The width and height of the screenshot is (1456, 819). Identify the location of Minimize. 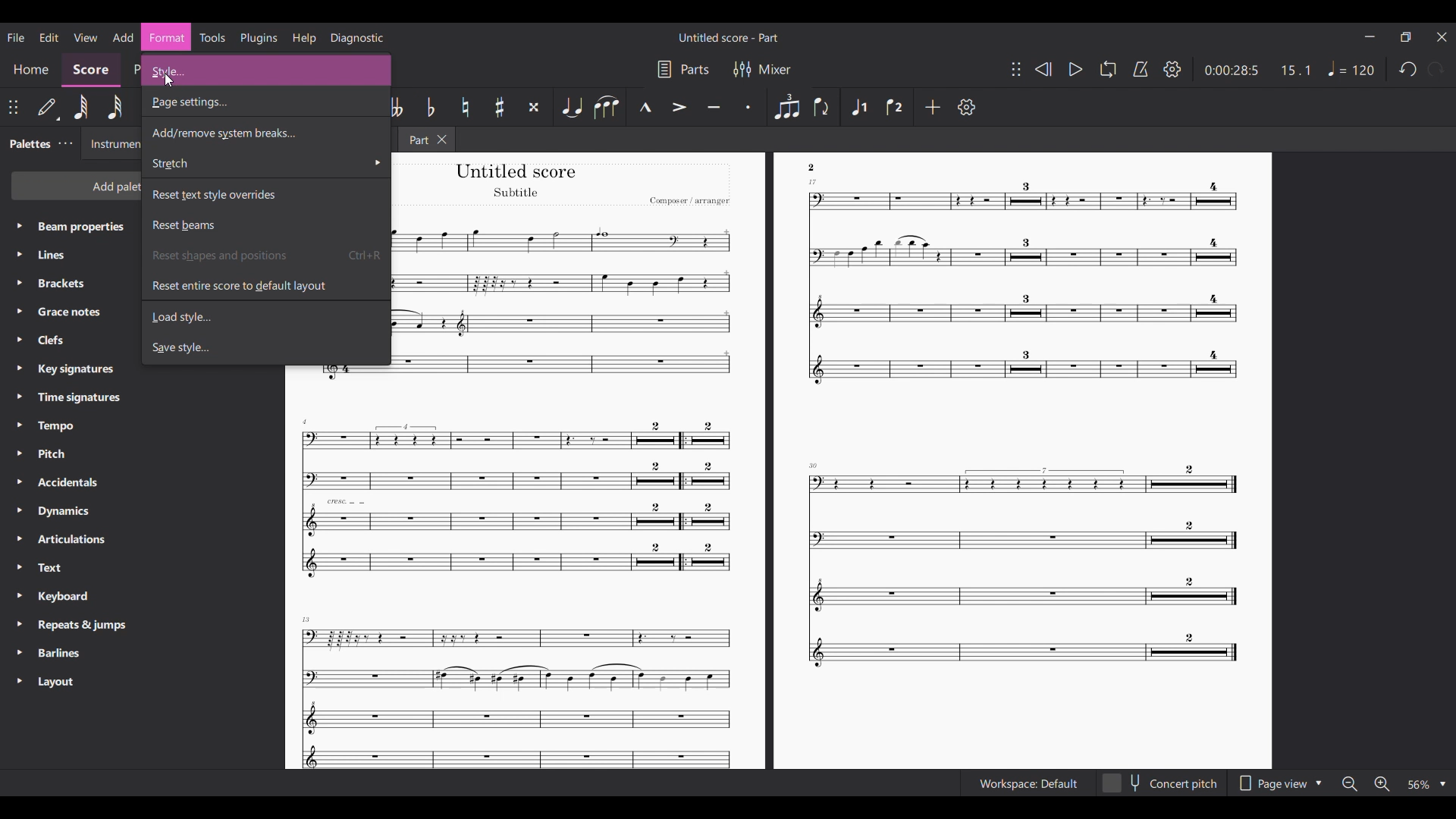
(1370, 36).